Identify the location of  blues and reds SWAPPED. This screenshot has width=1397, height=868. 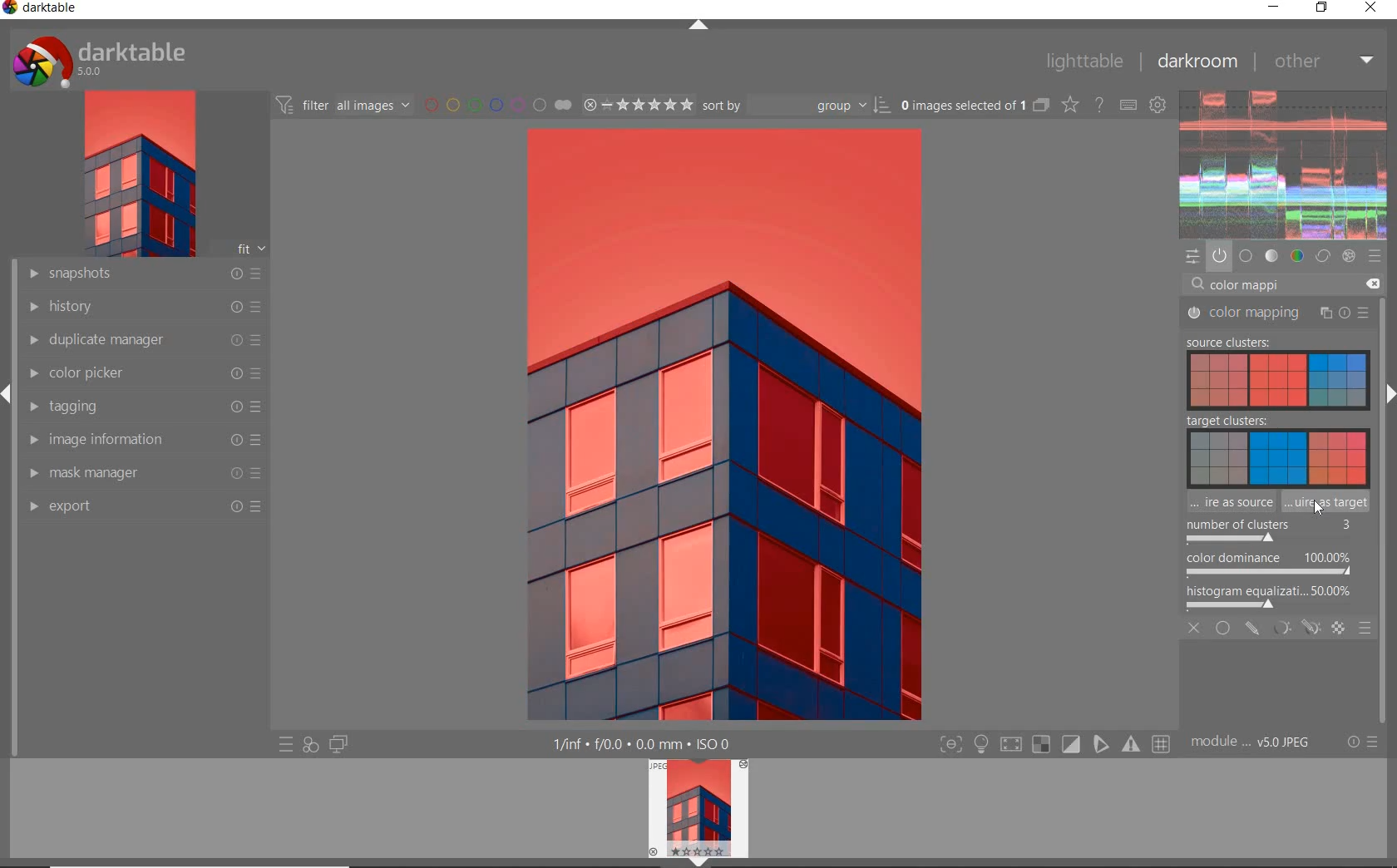
(743, 422).